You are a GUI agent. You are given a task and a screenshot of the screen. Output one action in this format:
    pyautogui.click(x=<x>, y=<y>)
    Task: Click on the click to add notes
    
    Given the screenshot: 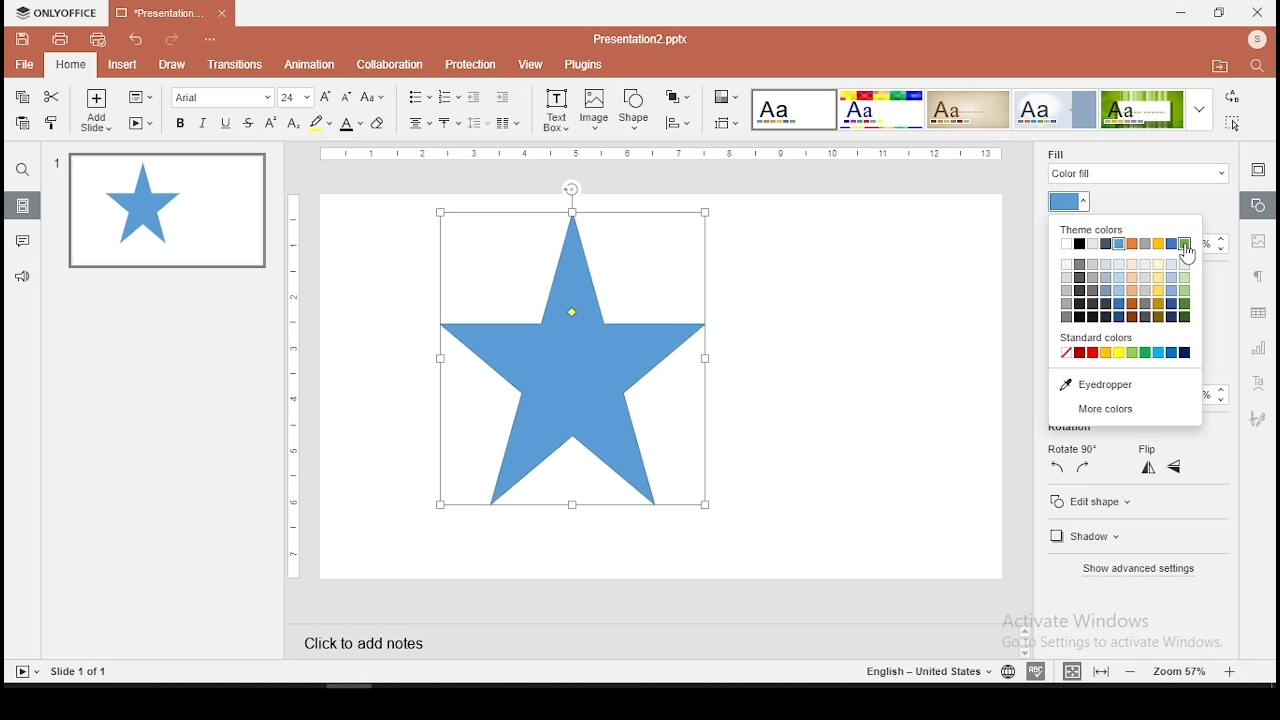 What is the action you would take?
    pyautogui.click(x=382, y=641)
    